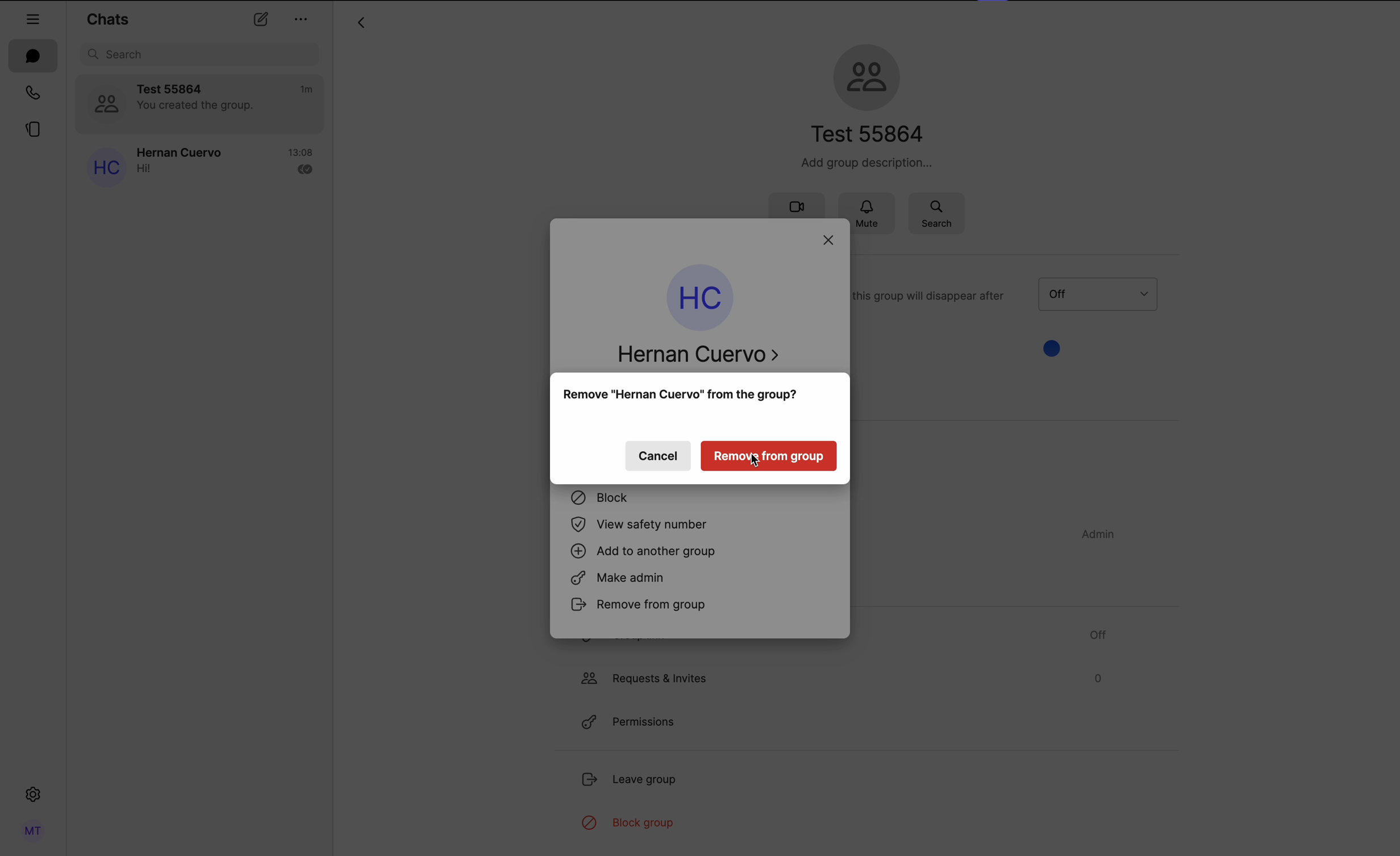 The image size is (1400, 856). What do you see at coordinates (778, 356) in the screenshot?
I see `next contact` at bounding box center [778, 356].